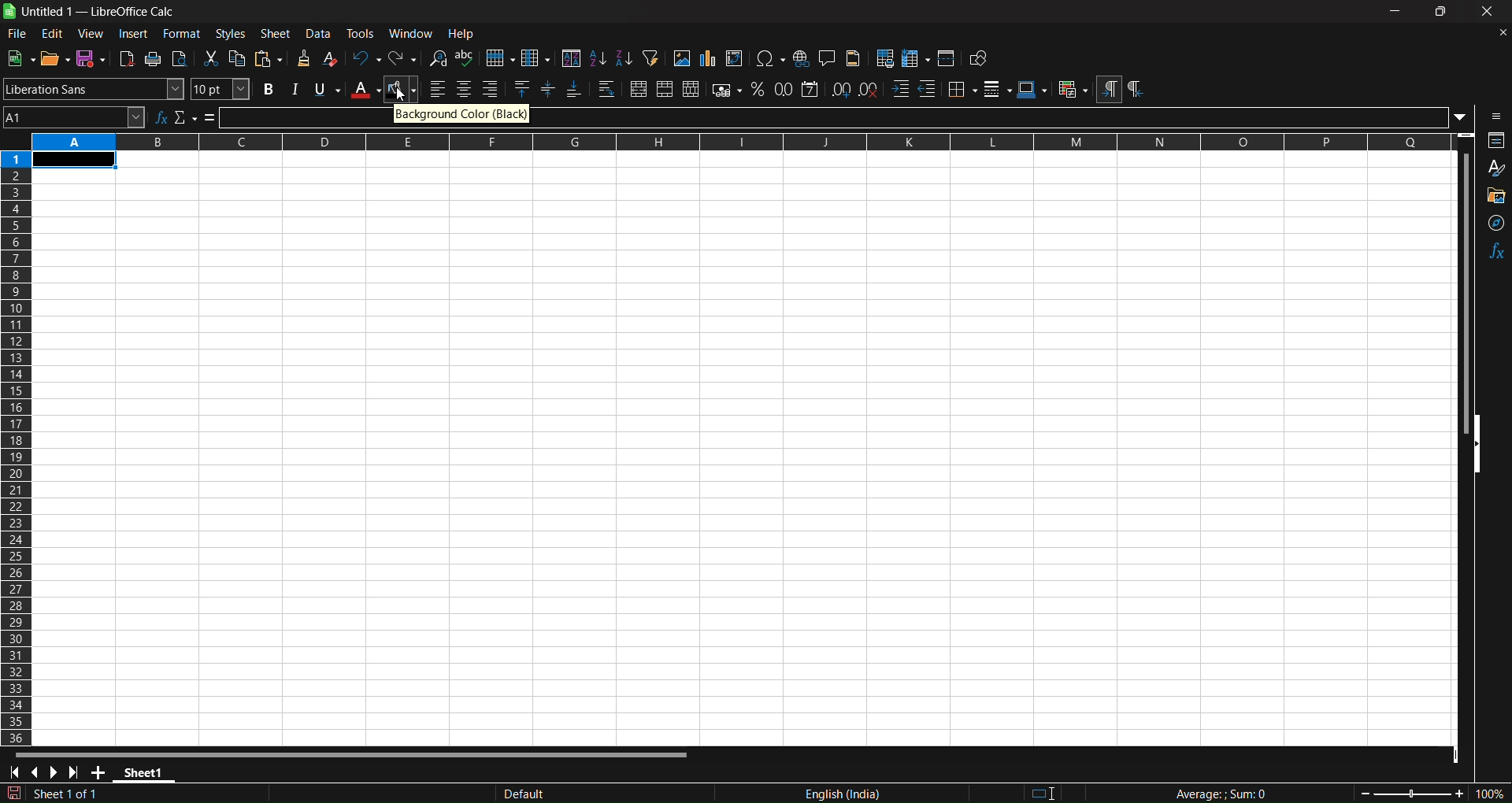 The height and width of the screenshot is (803, 1512). I want to click on border styles, so click(999, 89).